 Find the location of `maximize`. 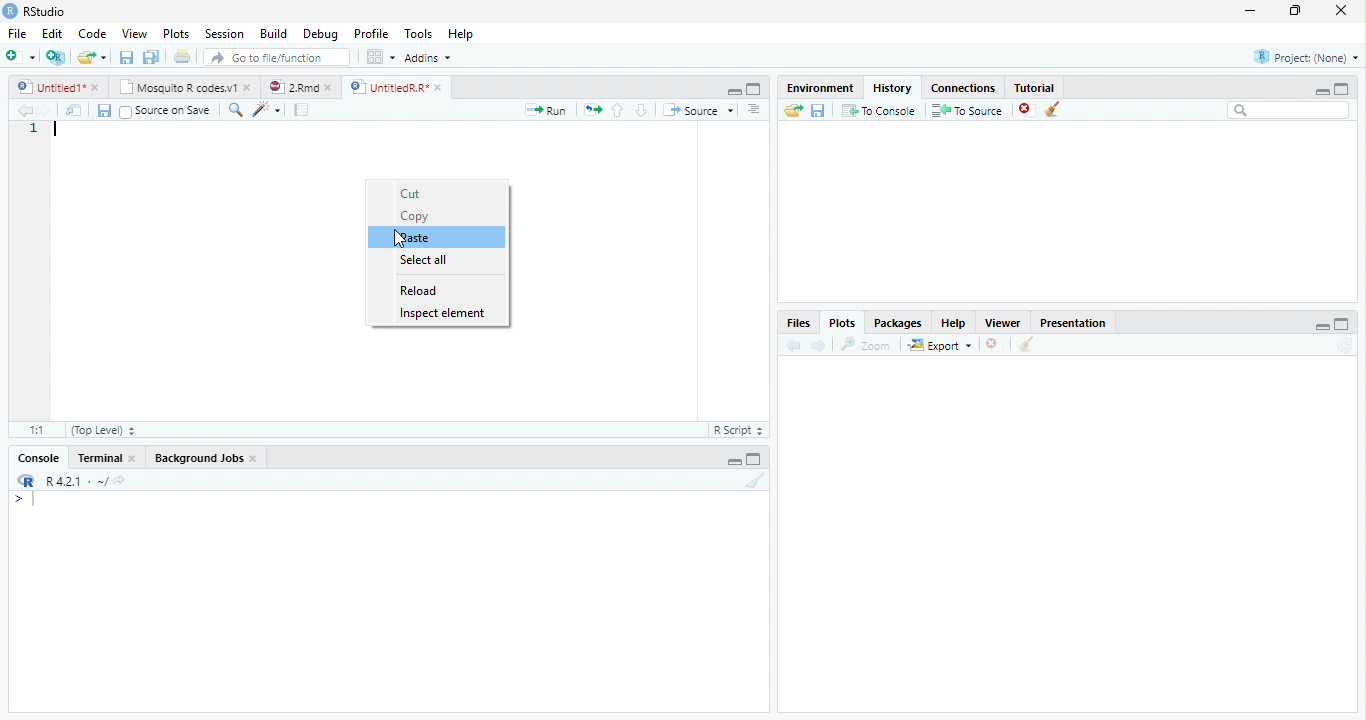

maximize is located at coordinates (1297, 10).